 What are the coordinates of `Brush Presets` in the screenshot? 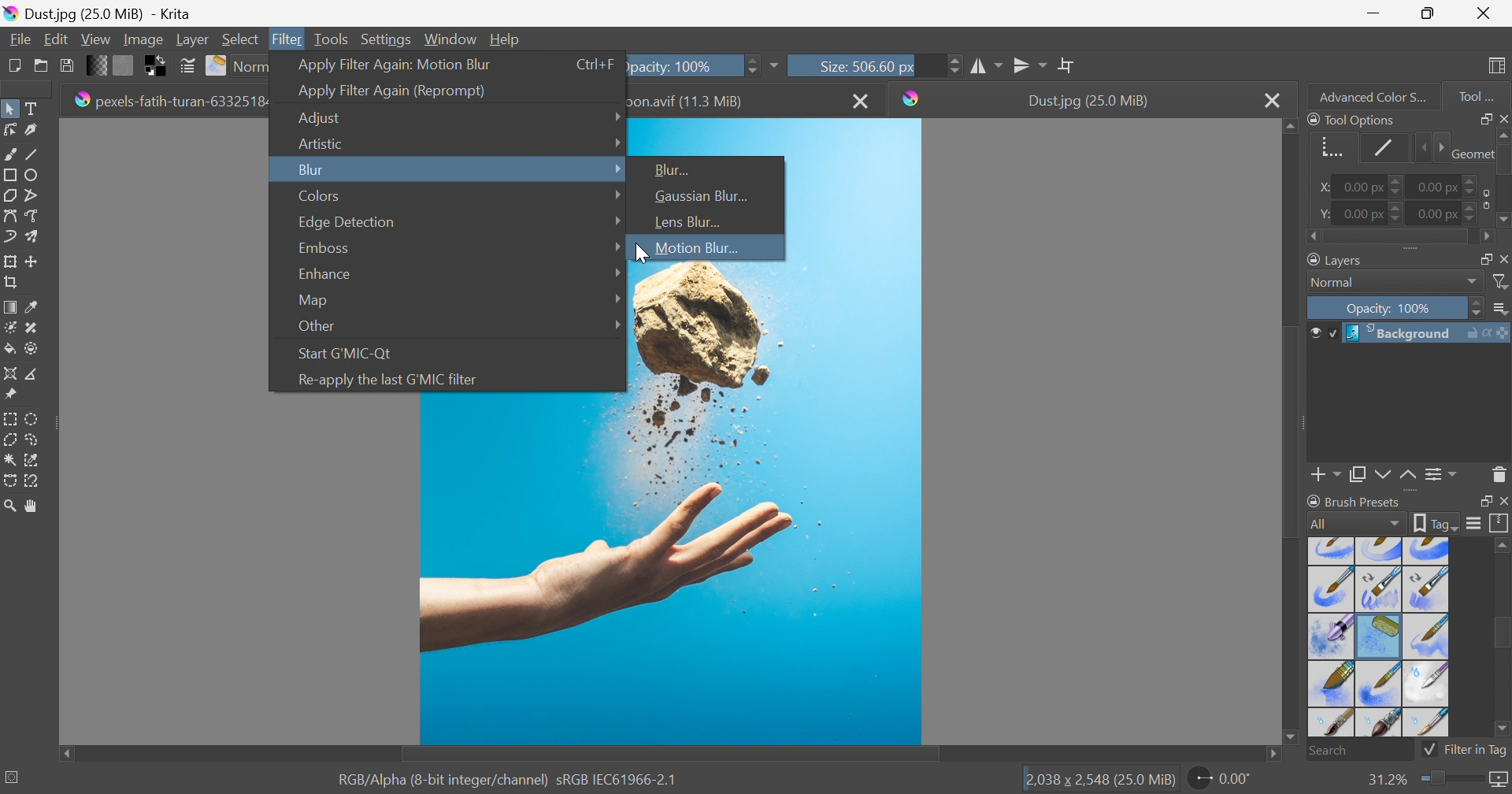 It's located at (1354, 501).